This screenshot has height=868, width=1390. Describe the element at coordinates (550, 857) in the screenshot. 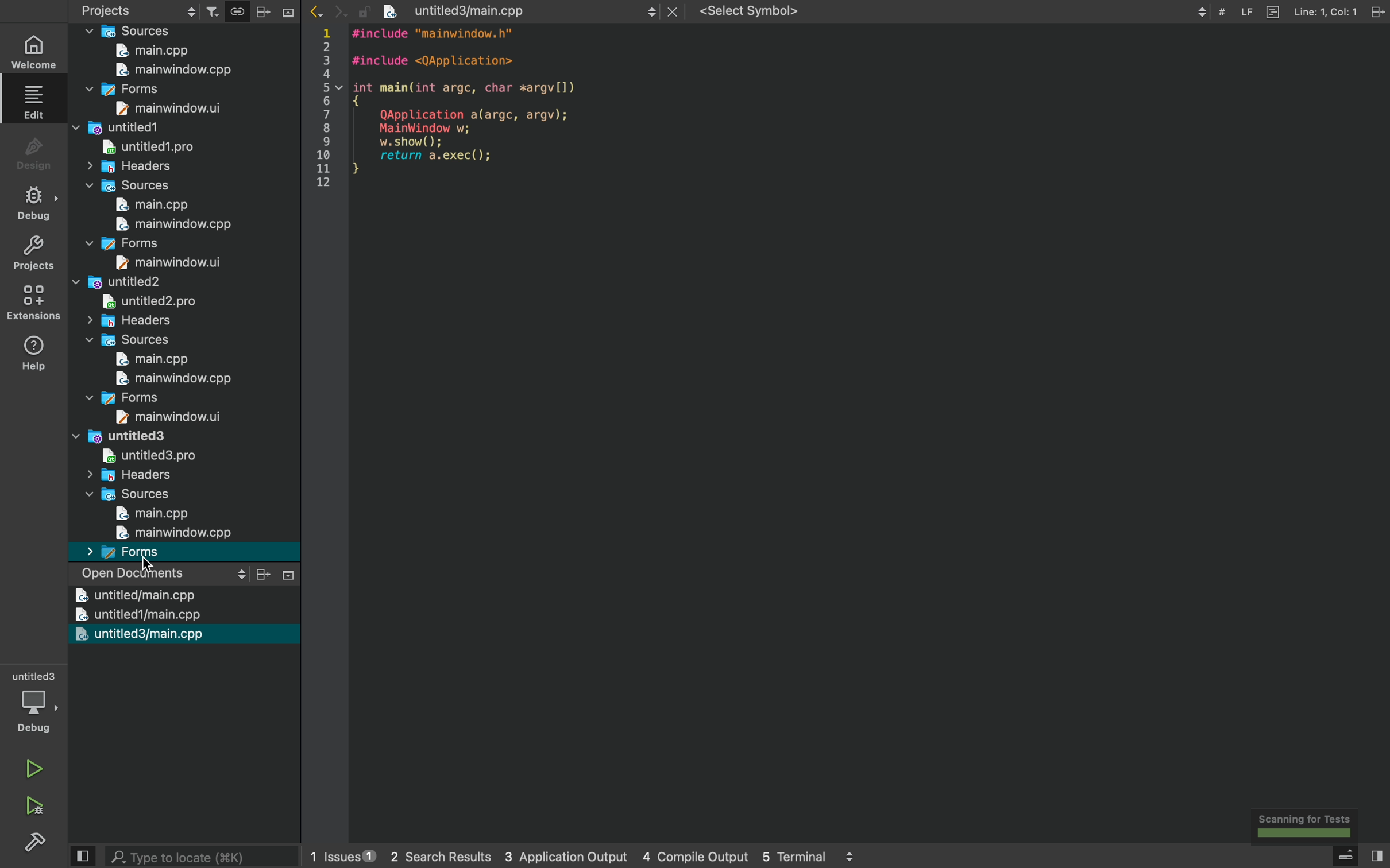

I see `3 application output` at that location.